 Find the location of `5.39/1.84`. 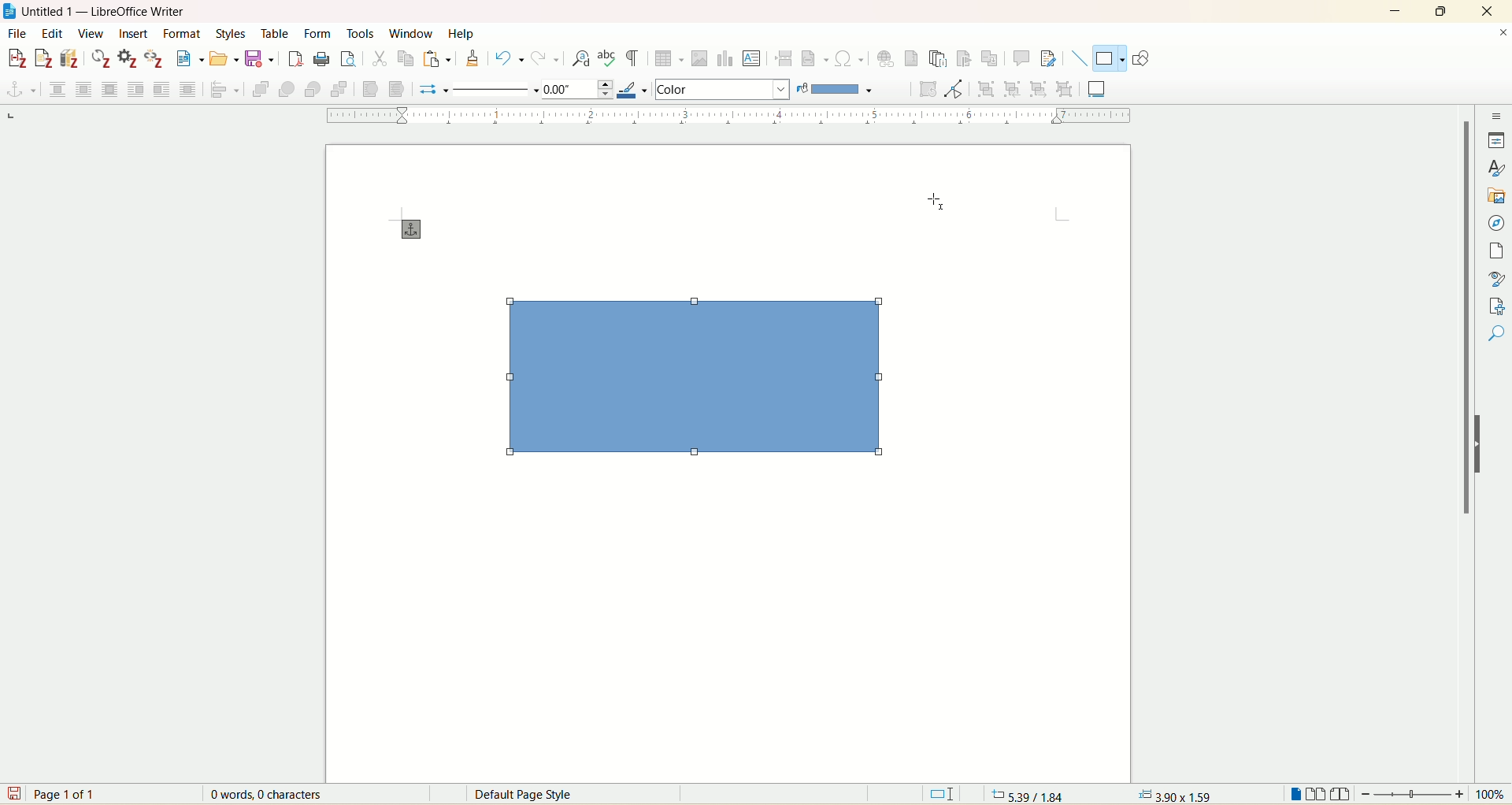

5.39/1.84 is located at coordinates (1026, 794).